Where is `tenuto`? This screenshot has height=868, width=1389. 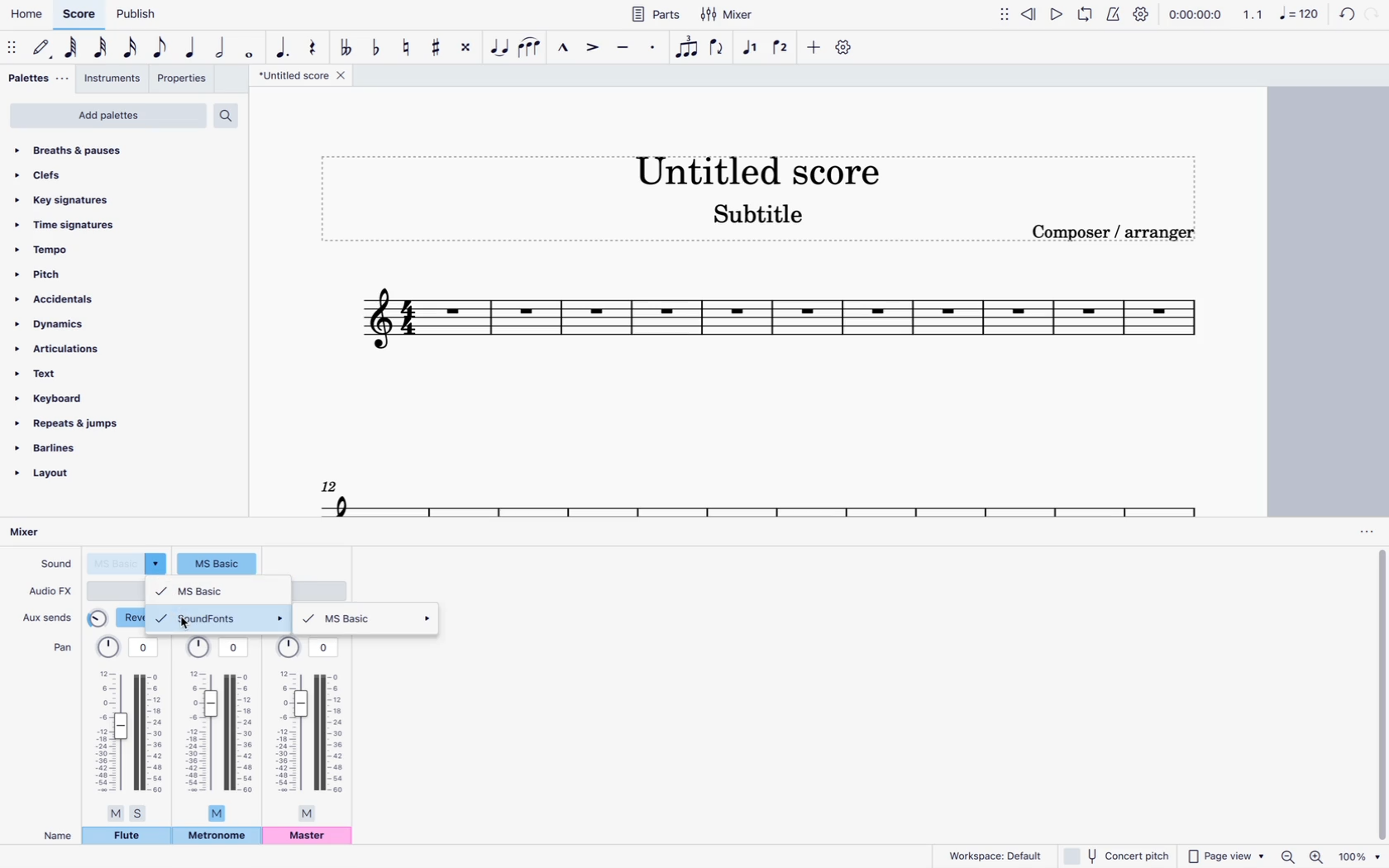 tenuto is located at coordinates (624, 47).